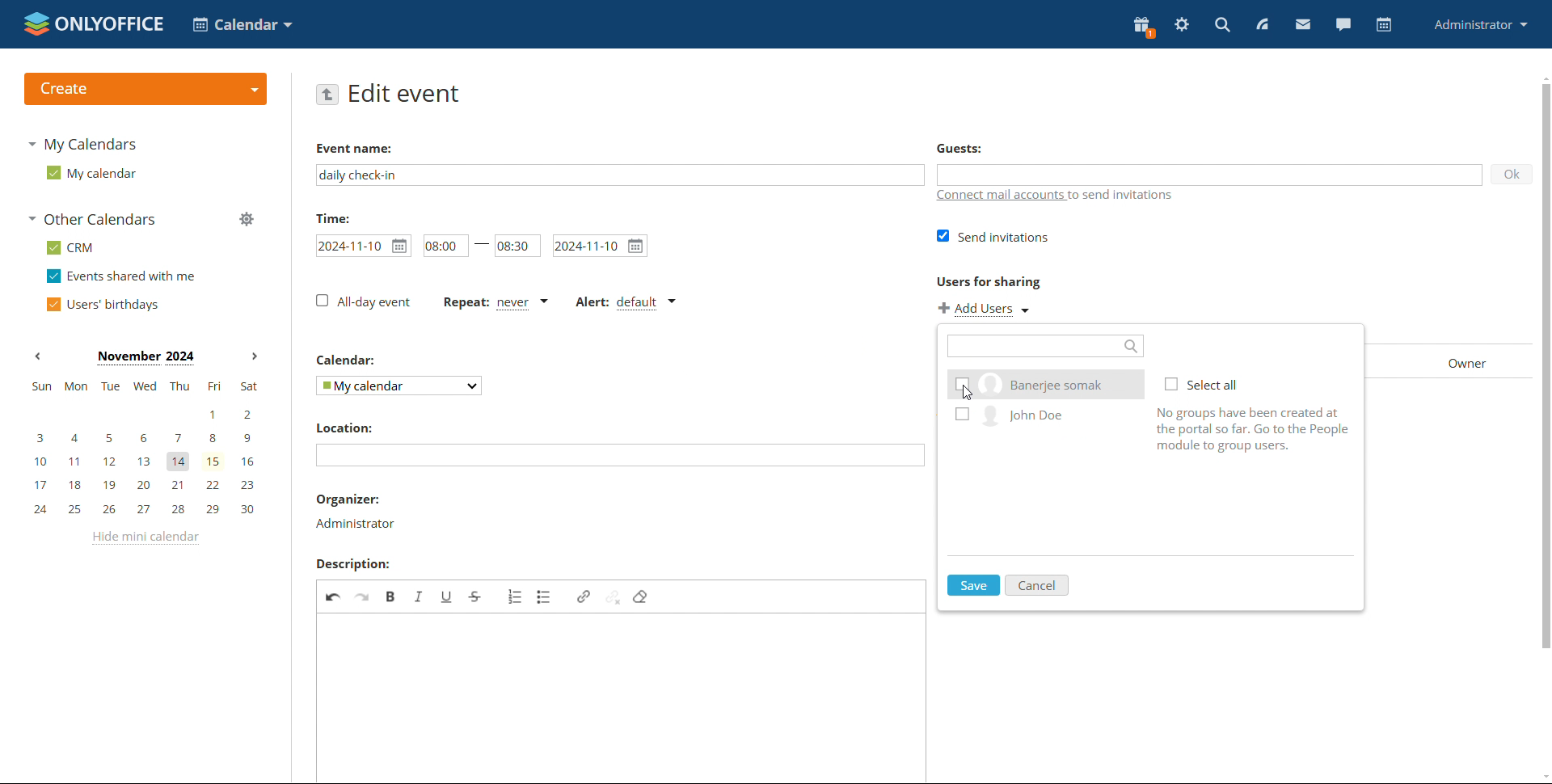 This screenshot has height=784, width=1552. Describe the element at coordinates (620, 175) in the screenshot. I see `add event name` at that location.